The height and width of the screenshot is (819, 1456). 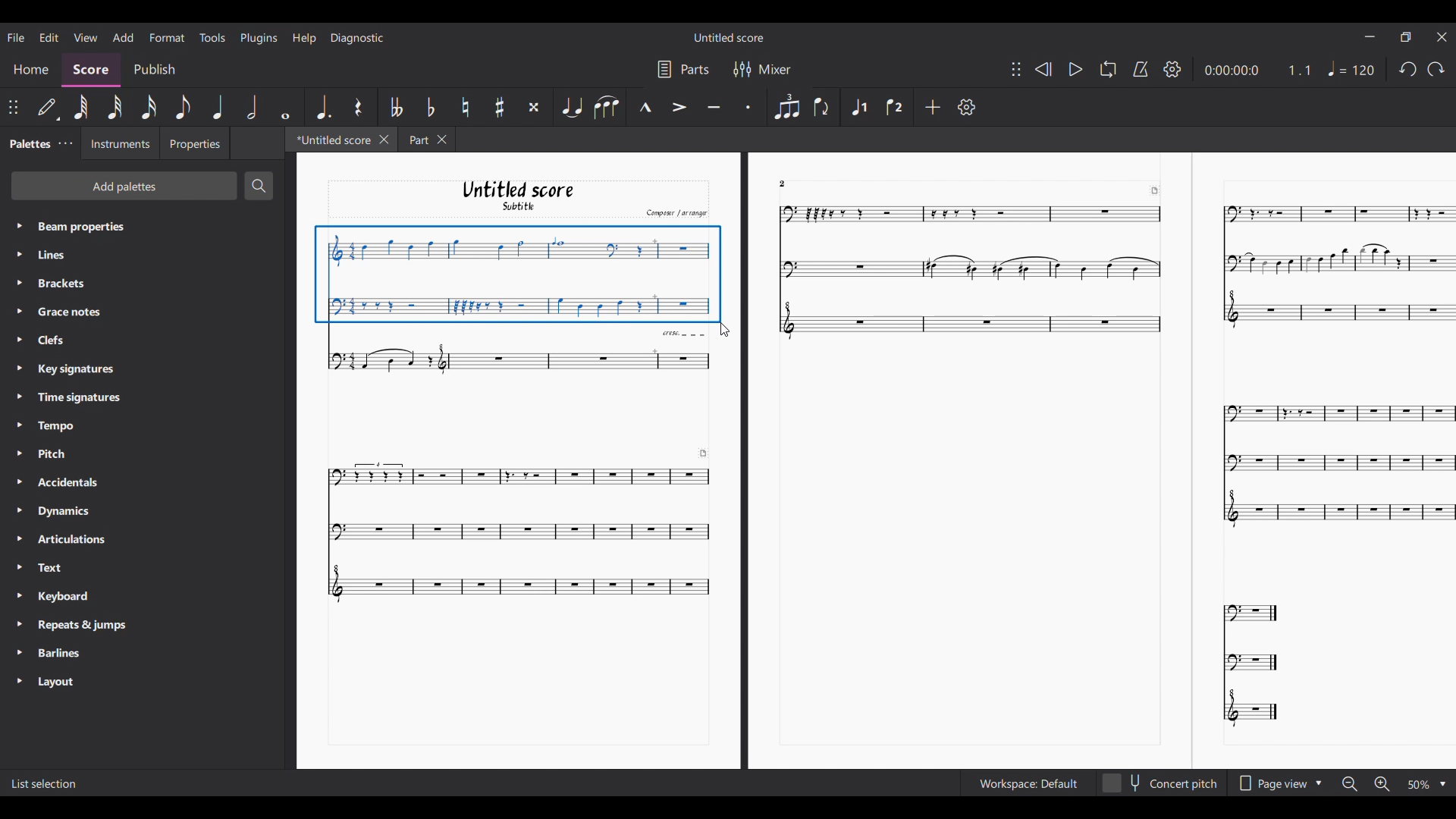 What do you see at coordinates (65, 255) in the screenshot?
I see `Line` at bounding box center [65, 255].